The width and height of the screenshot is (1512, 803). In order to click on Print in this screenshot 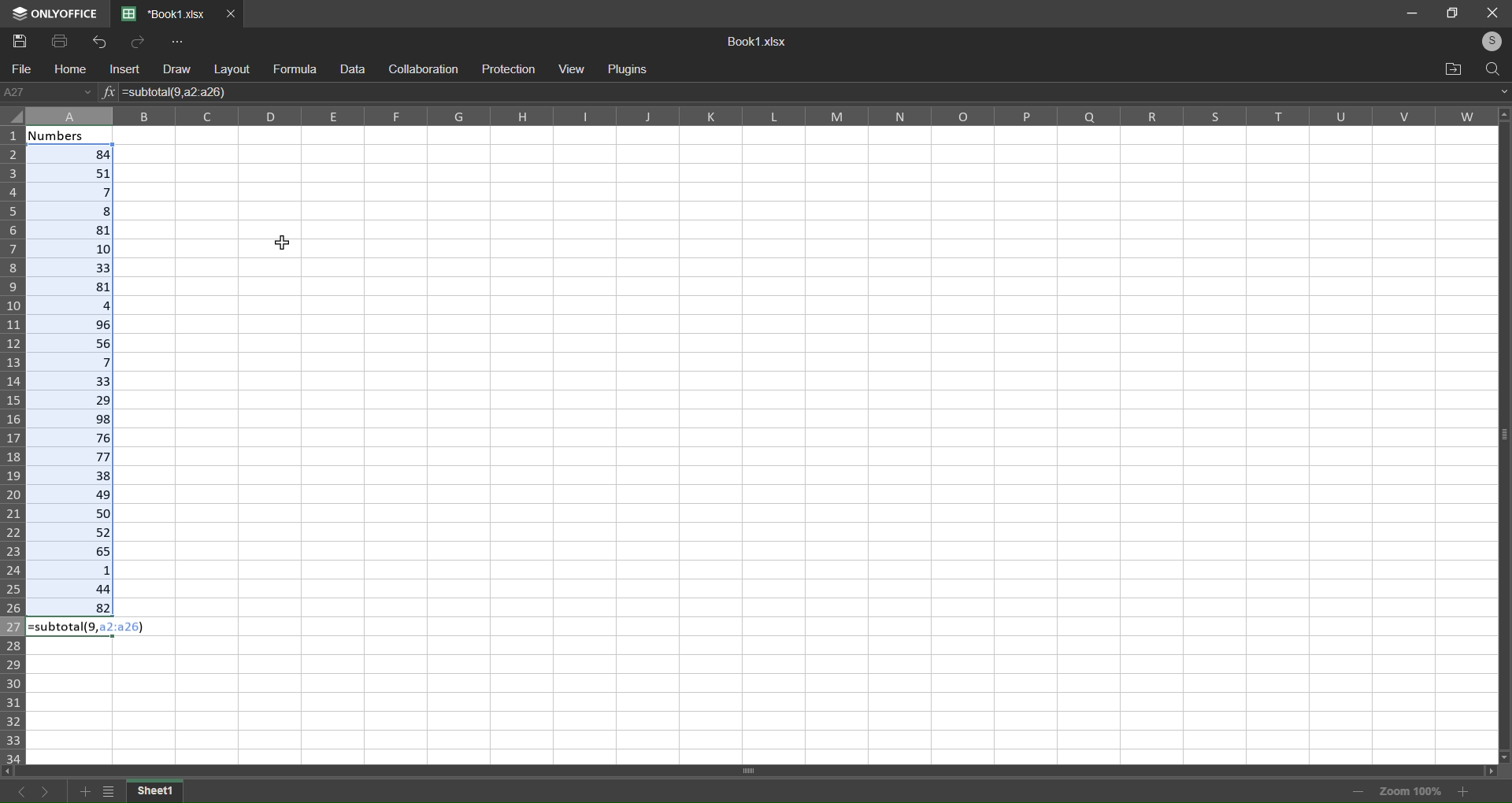, I will do `click(58, 42)`.